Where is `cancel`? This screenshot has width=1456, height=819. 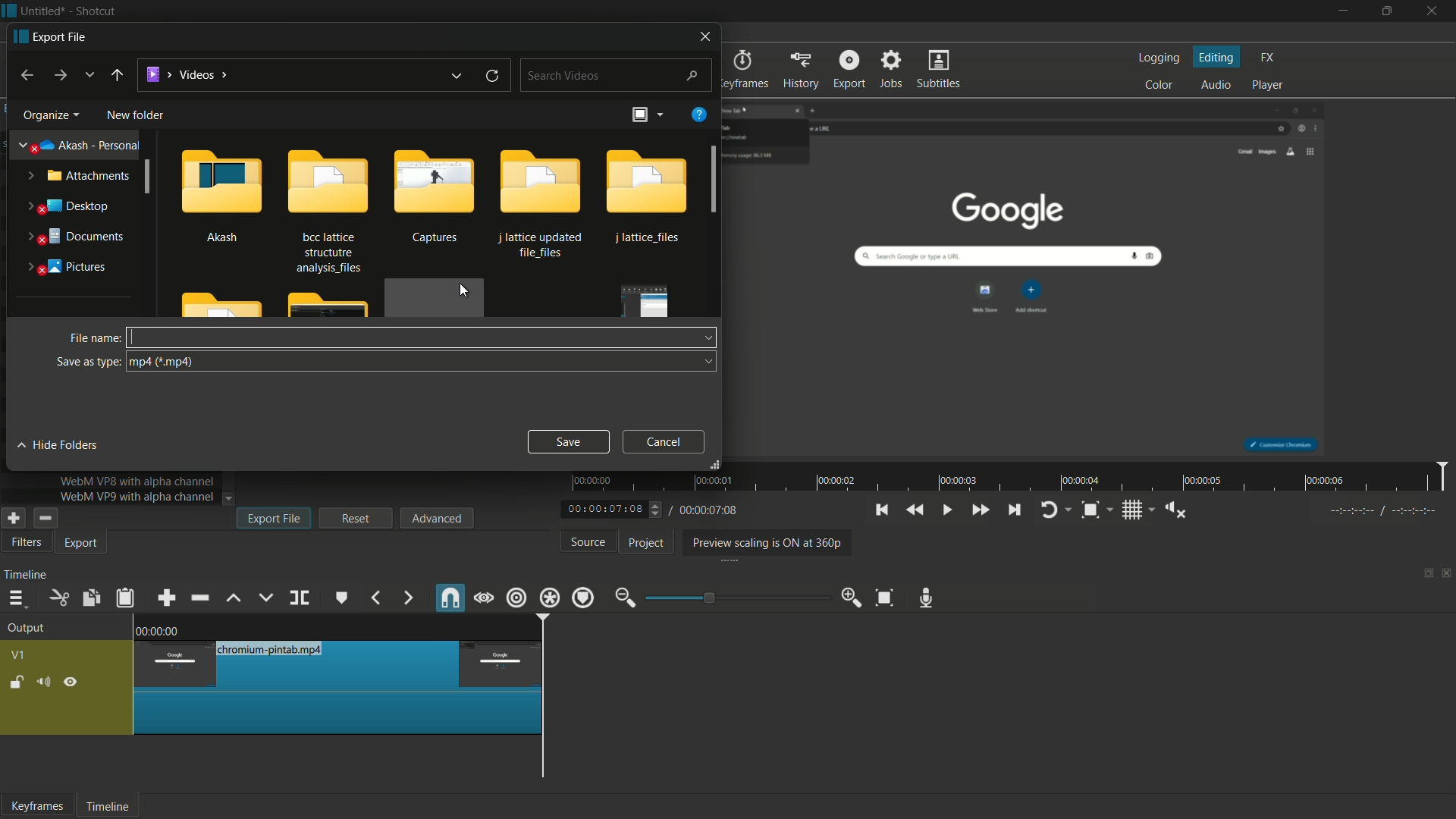 cancel is located at coordinates (665, 441).